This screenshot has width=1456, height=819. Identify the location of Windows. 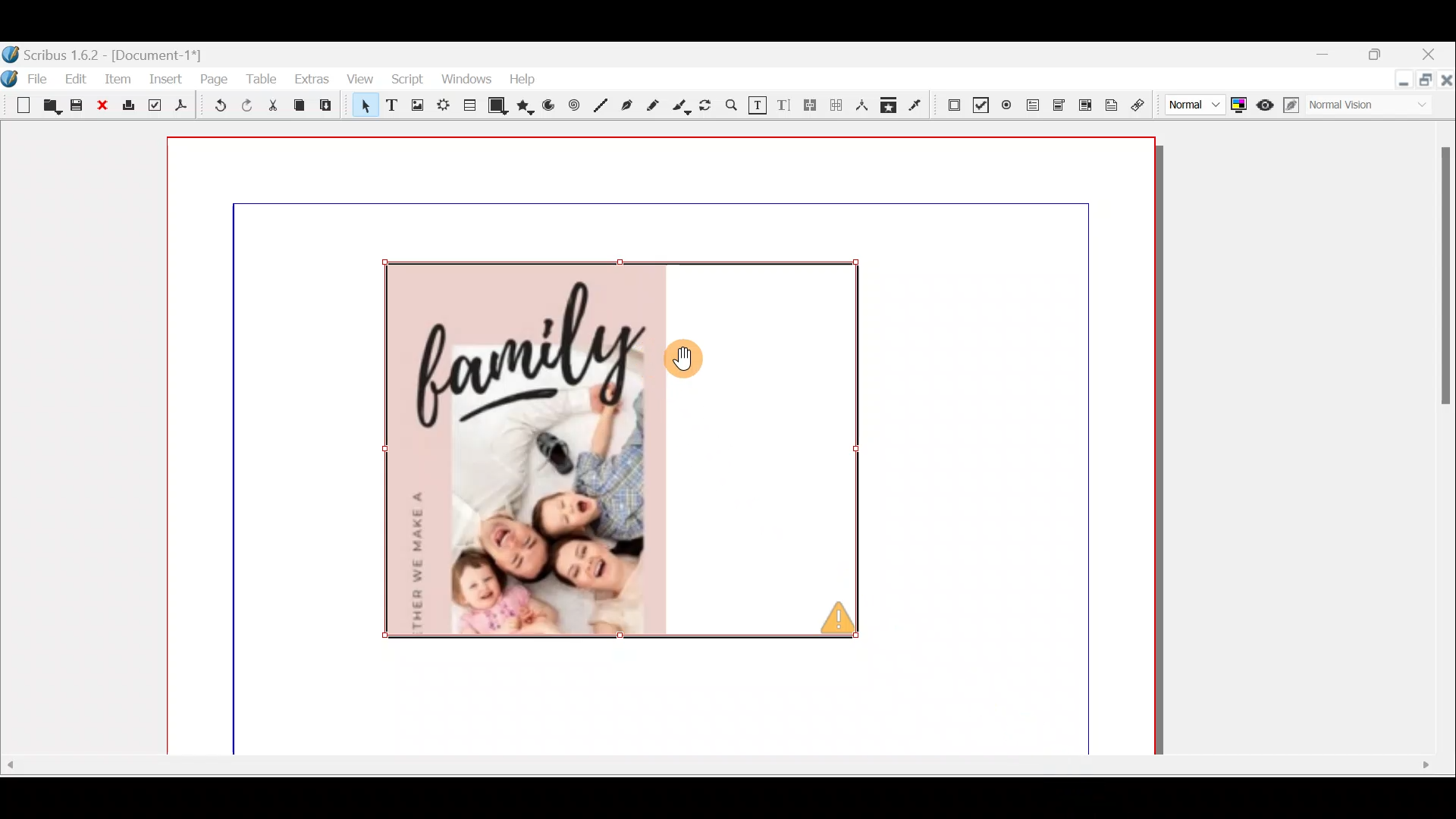
(462, 80).